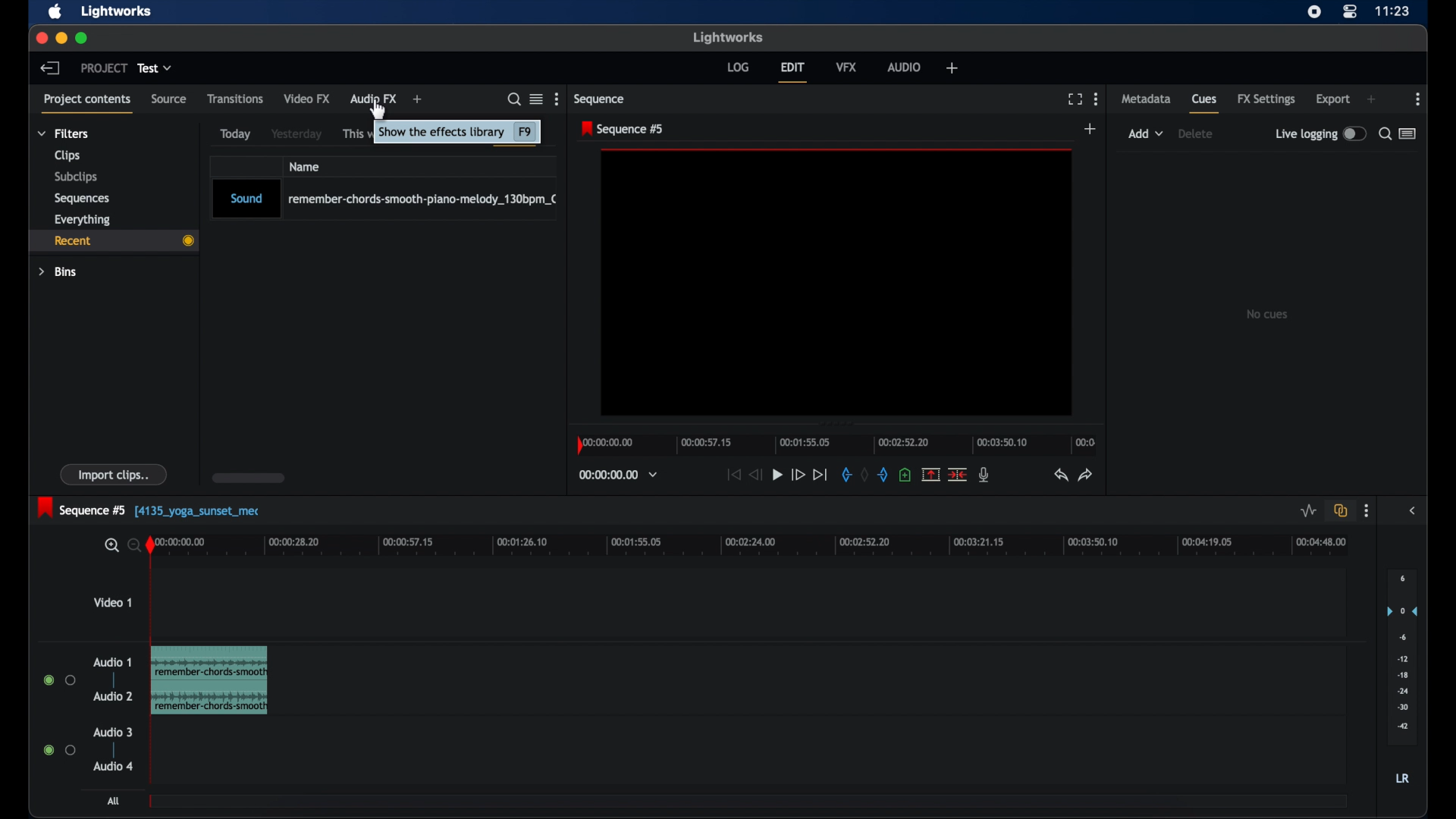 The image size is (1456, 819). I want to click on audio 1, so click(112, 662).